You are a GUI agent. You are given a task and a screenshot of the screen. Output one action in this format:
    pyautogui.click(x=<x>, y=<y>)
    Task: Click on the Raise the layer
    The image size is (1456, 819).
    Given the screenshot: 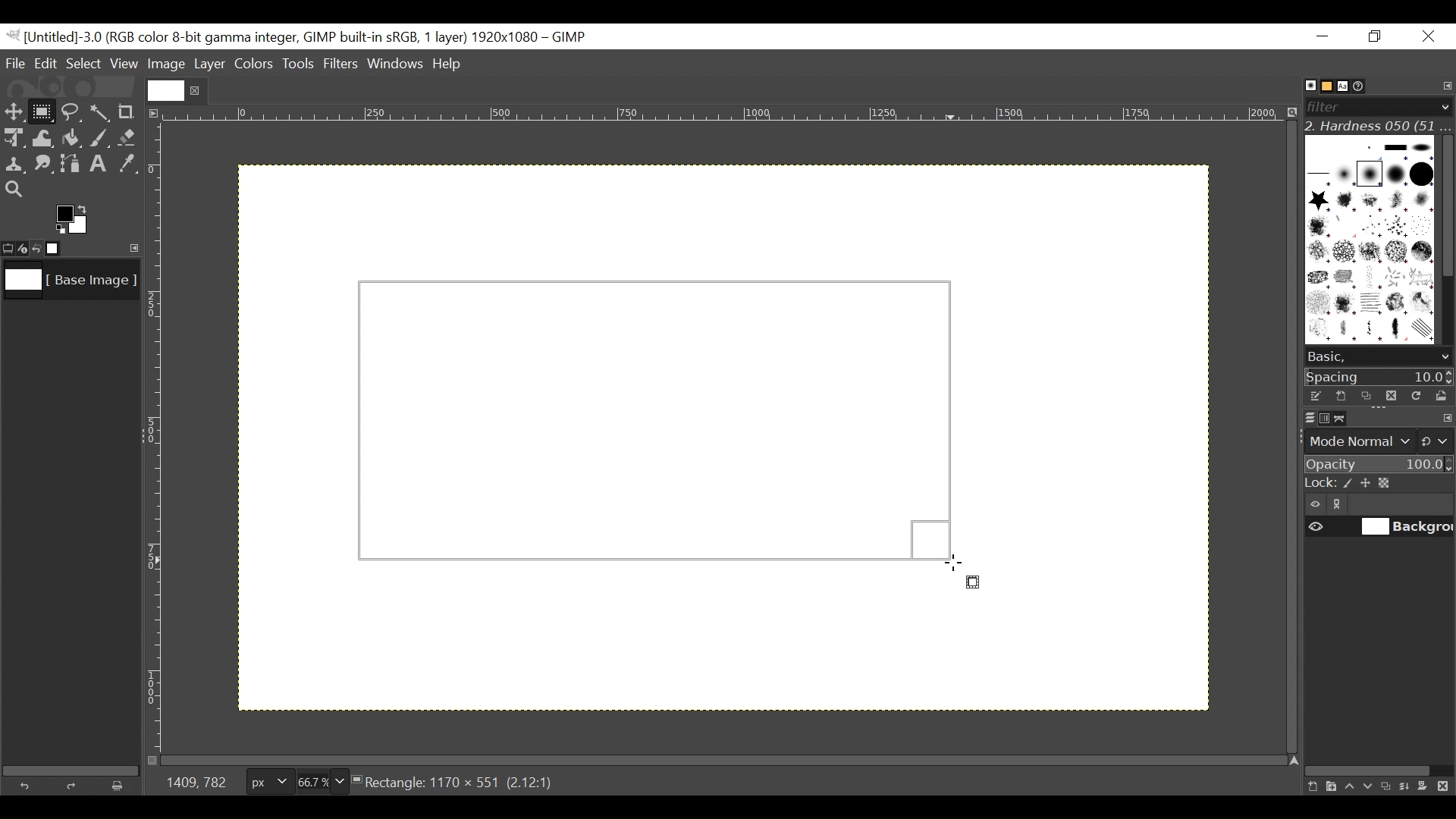 What is the action you would take?
    pyautogui.click(x=1349, y=786)
    